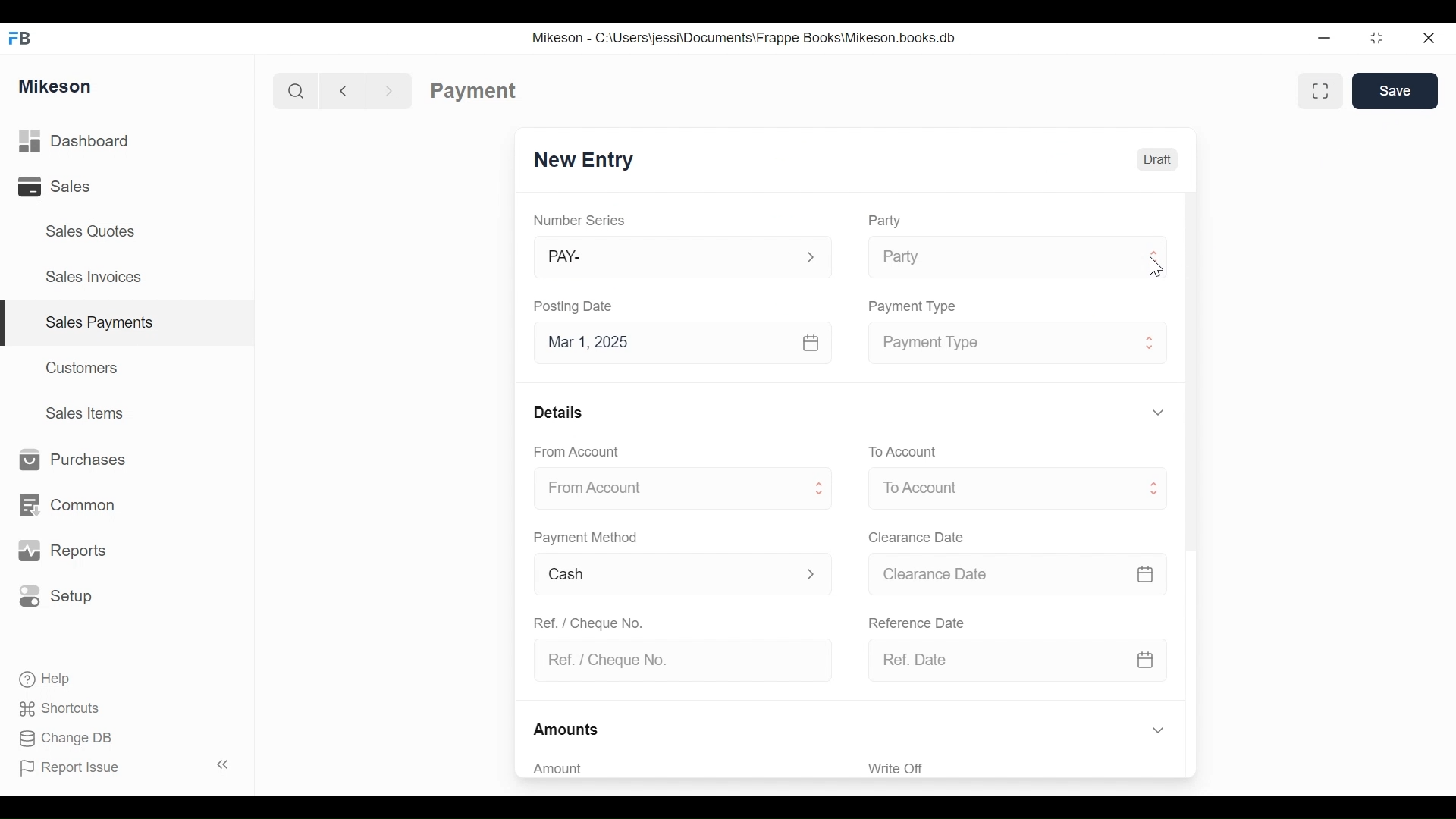 The width and height of the screenshot is (1456, 819). What do you see at coordinates (1016, 484) in the screenshot?
I see `` at bounding box center [1016, 484].